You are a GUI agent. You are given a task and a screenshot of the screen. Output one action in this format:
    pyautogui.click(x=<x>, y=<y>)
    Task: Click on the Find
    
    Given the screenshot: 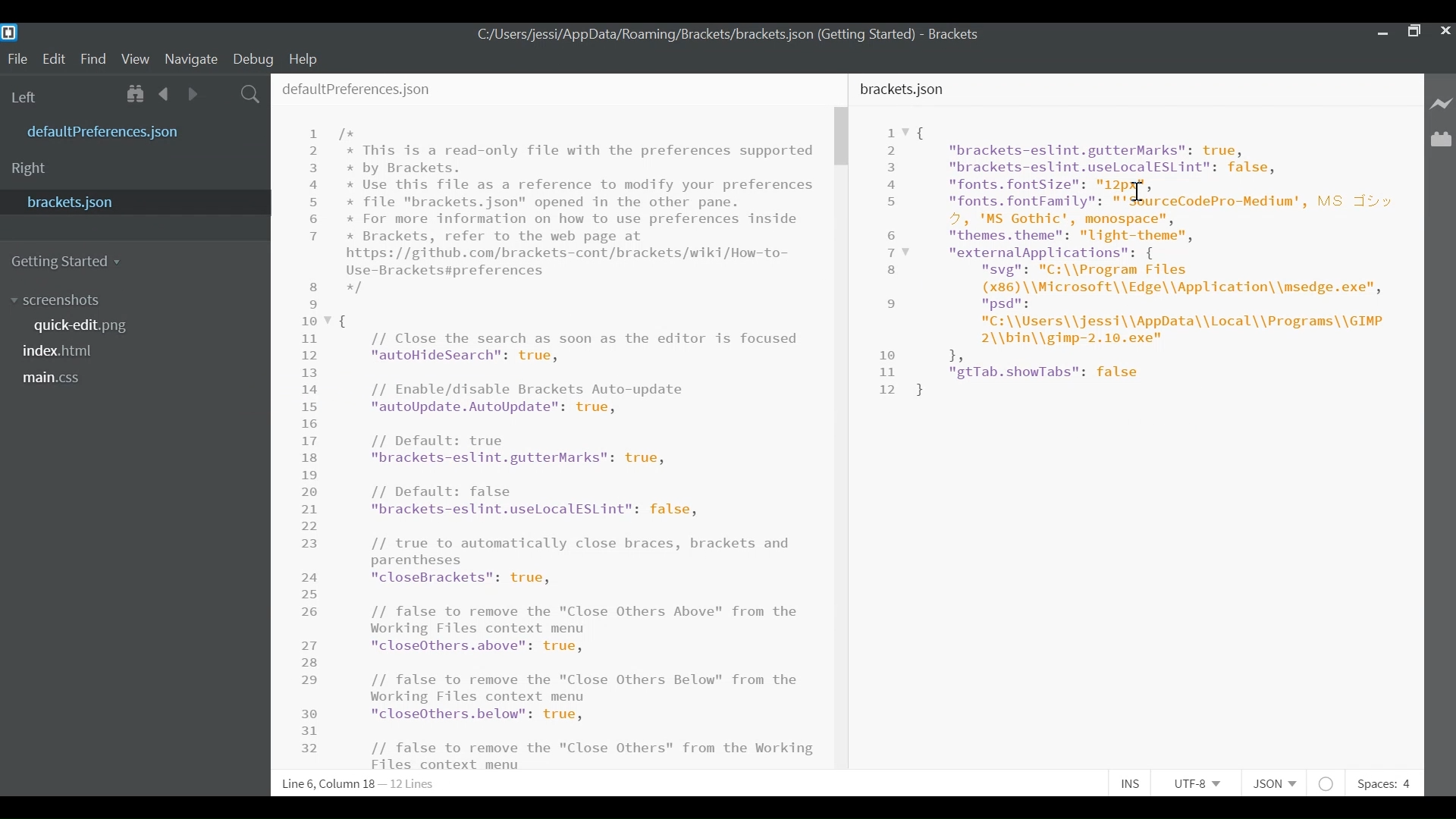 What is the action you would take?
    pyautogui.click(x=93, y=57)
    